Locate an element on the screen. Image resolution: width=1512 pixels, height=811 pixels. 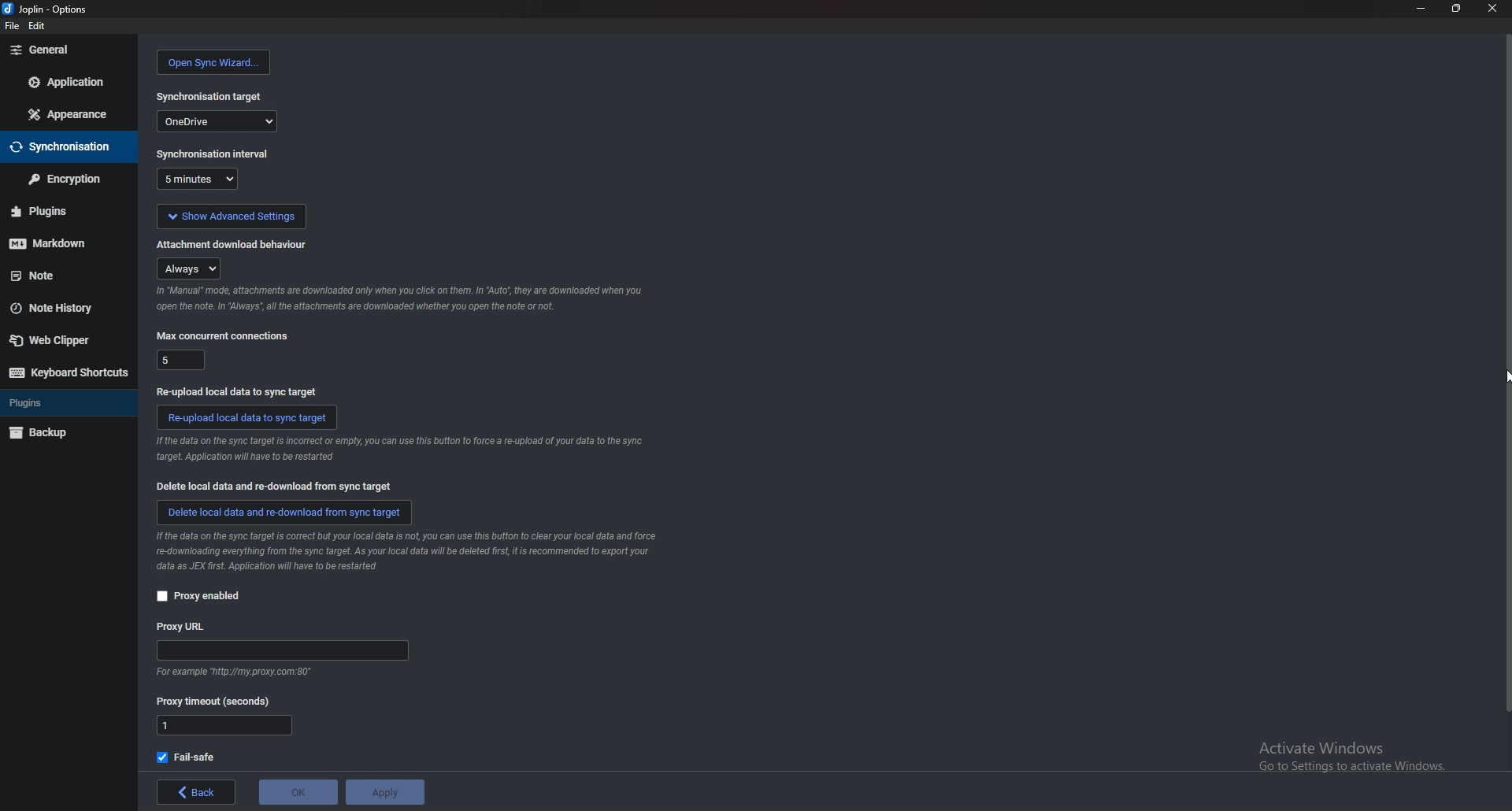
note history is located at coordinates (60, 308).